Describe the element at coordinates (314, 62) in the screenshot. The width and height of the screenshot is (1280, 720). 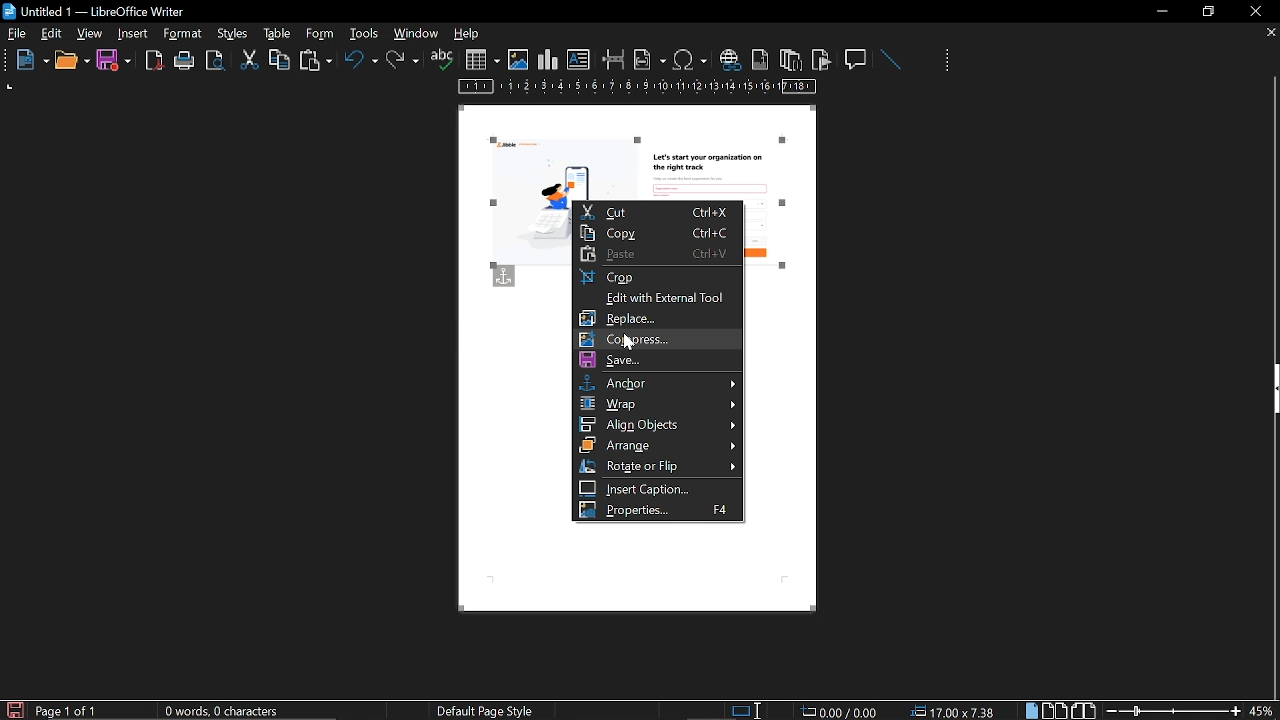
I see `paste` at that location.